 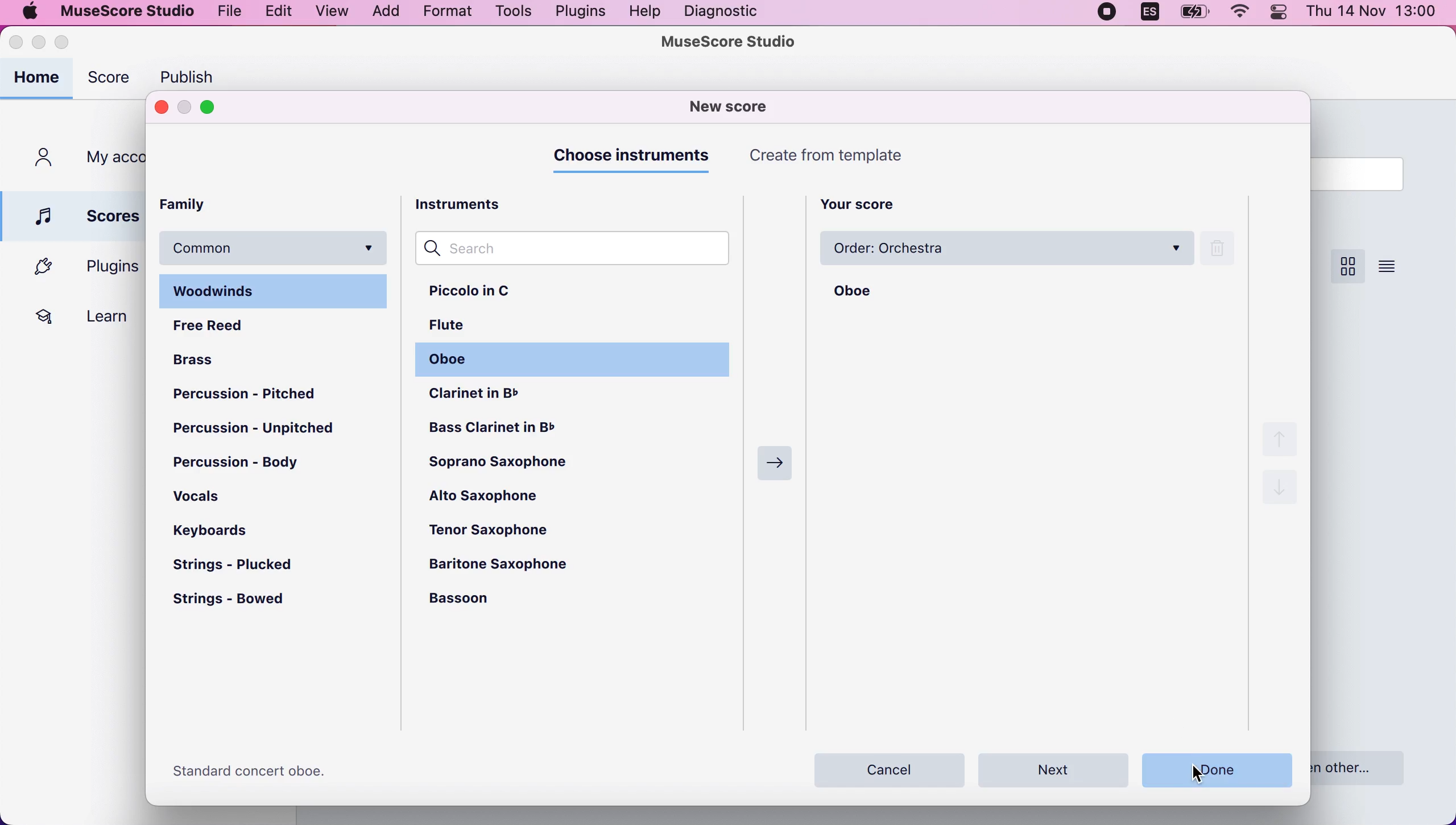 What do you see at coordinates (1060, 770) in the screenshot?
I see `next` at bounding box center [1060, 770].